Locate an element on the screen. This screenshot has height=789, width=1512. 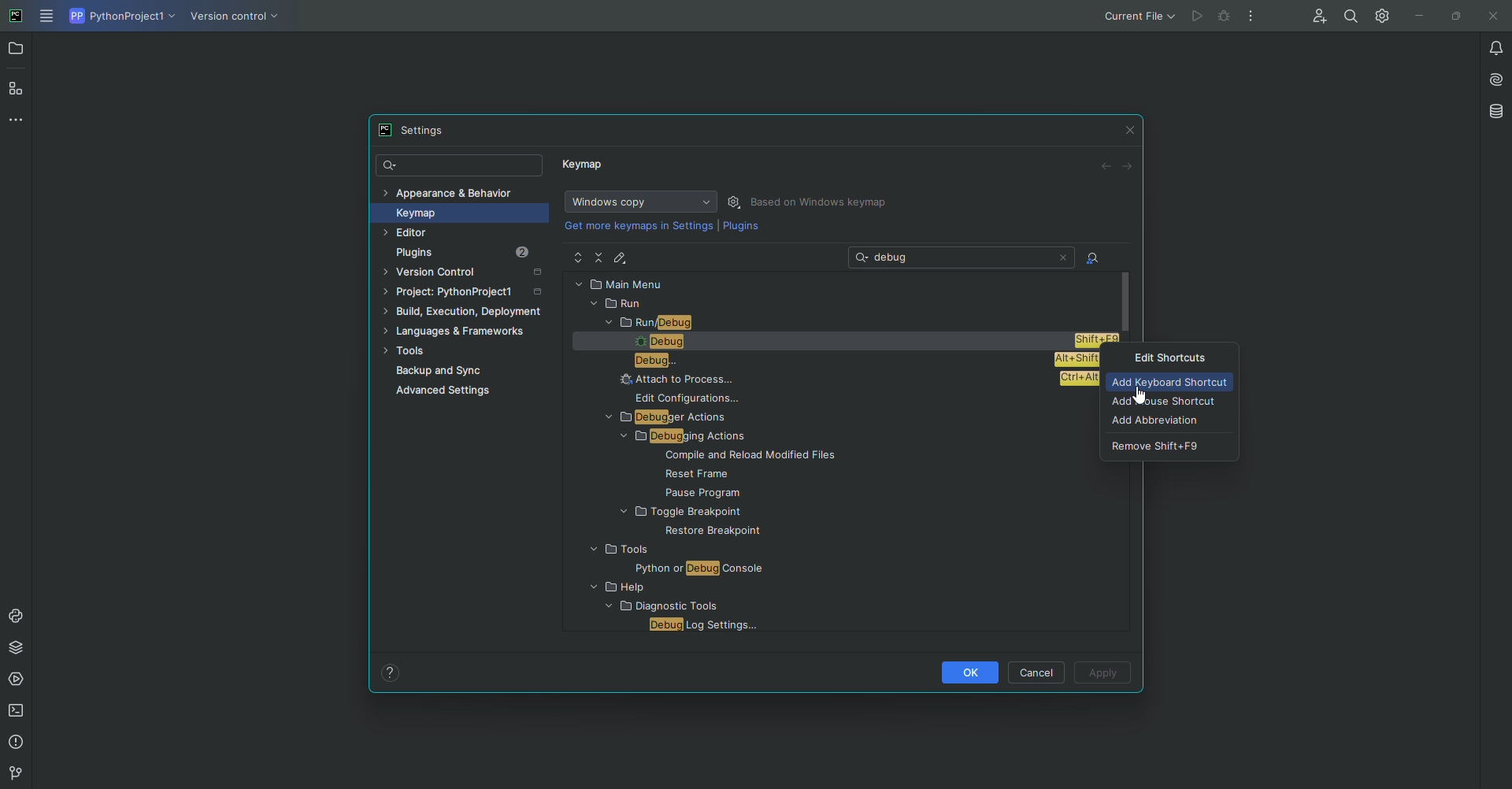
DEBUG  SHIFT+F9 is located at coordinates (832, 344).